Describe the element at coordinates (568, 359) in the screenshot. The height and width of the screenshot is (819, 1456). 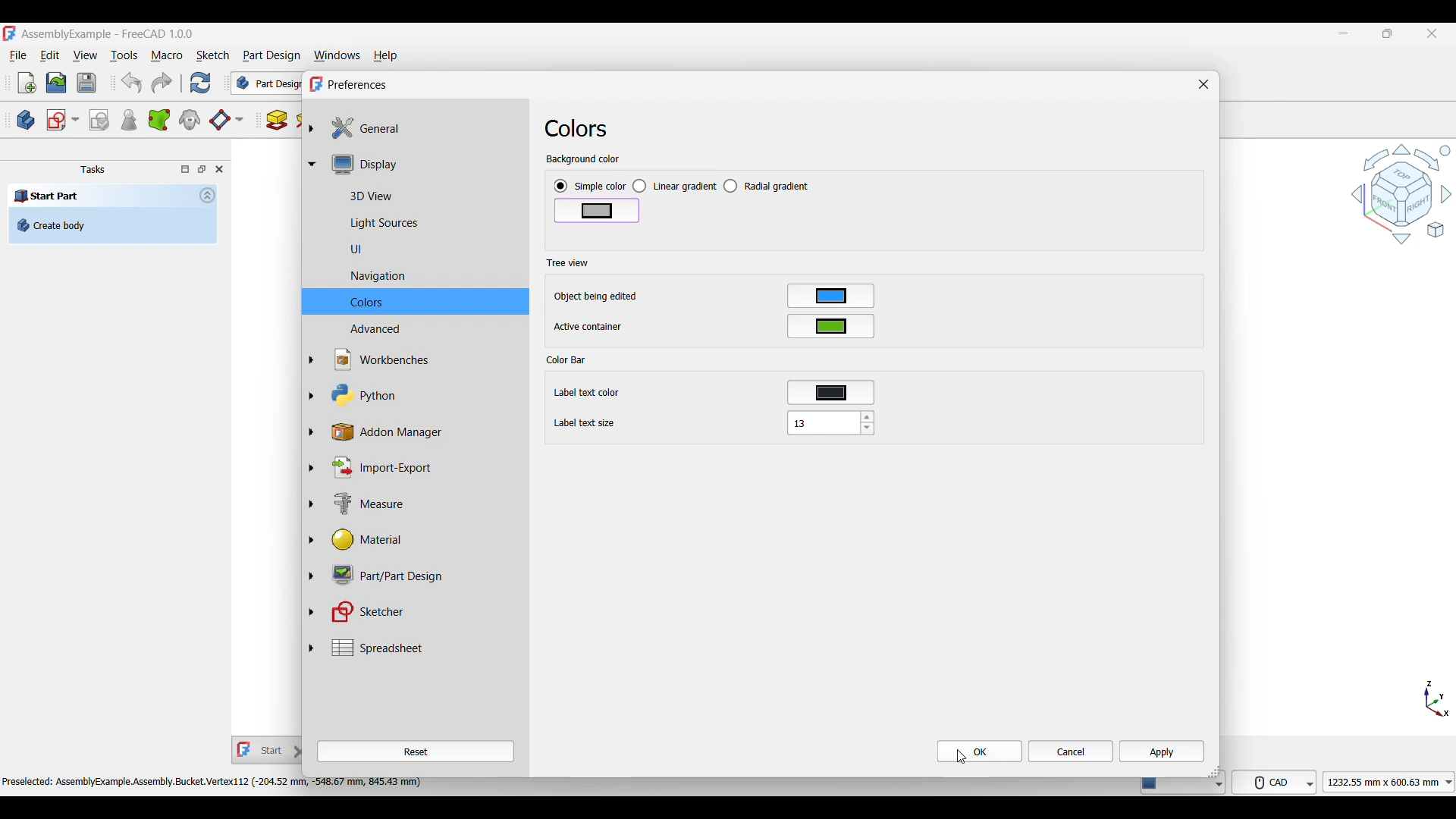
I see `Section title` at that location.